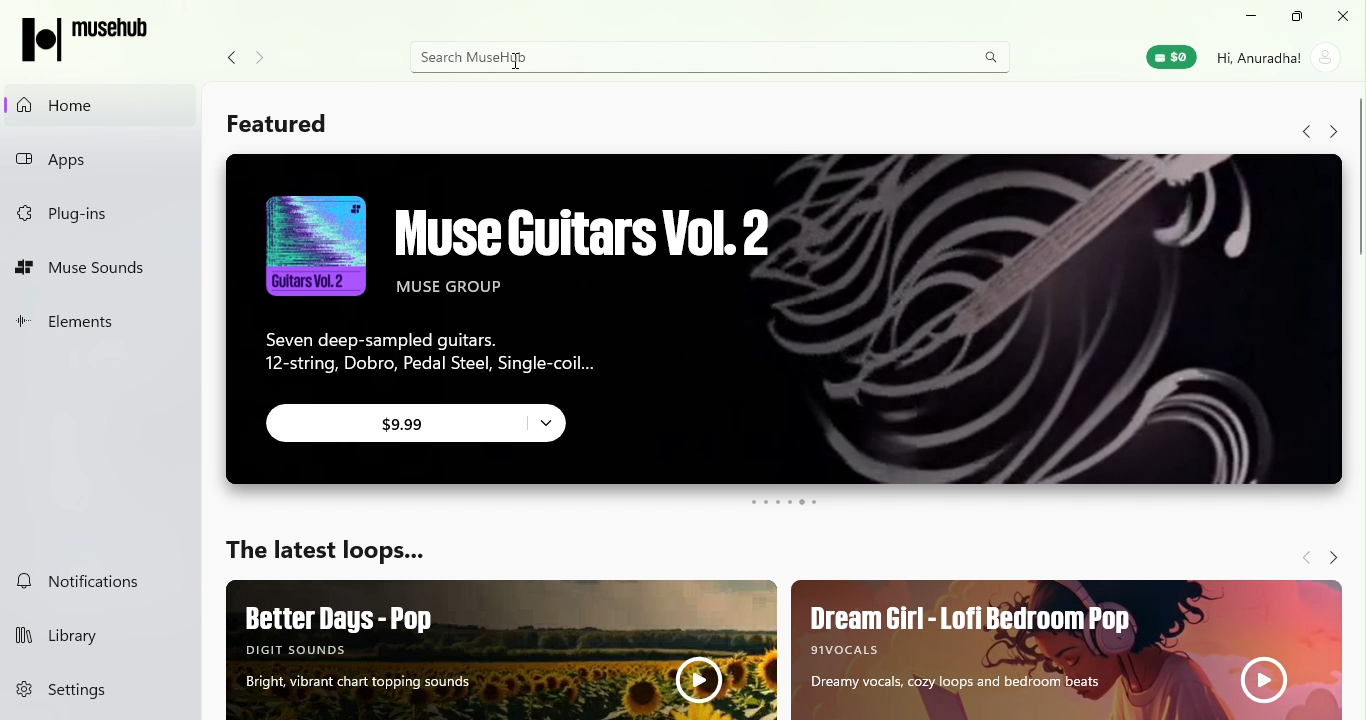 This screenshot has height=720, width=1366. Describe the element at coordinates (267, 59) in the screenshot. I see `Navigate forward` at that location.